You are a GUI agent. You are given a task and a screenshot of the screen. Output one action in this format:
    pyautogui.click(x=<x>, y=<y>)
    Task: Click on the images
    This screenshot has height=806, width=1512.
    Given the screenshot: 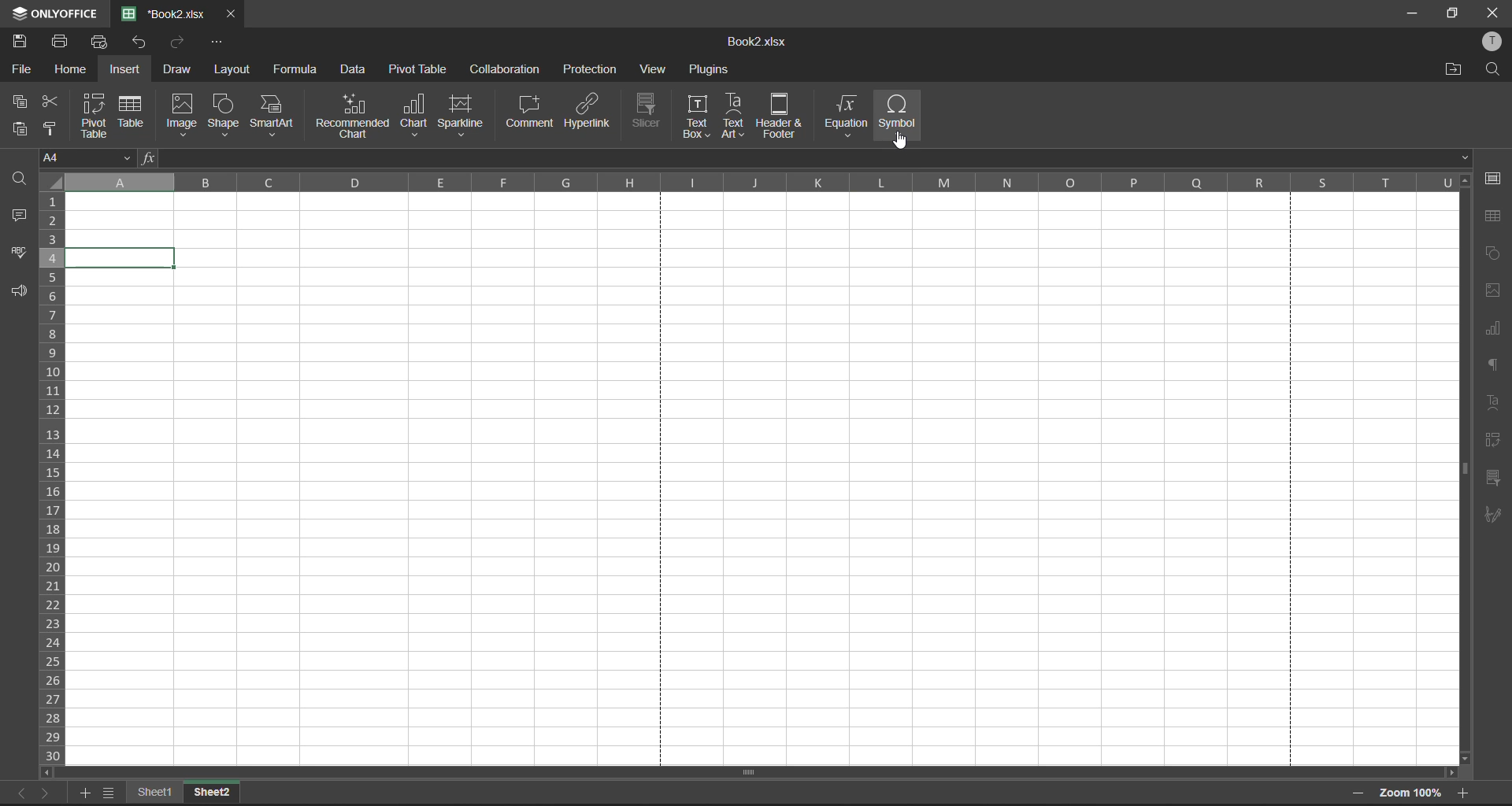 What is the action you would take?
    pyautogui.click(x=1491, y=290)
    